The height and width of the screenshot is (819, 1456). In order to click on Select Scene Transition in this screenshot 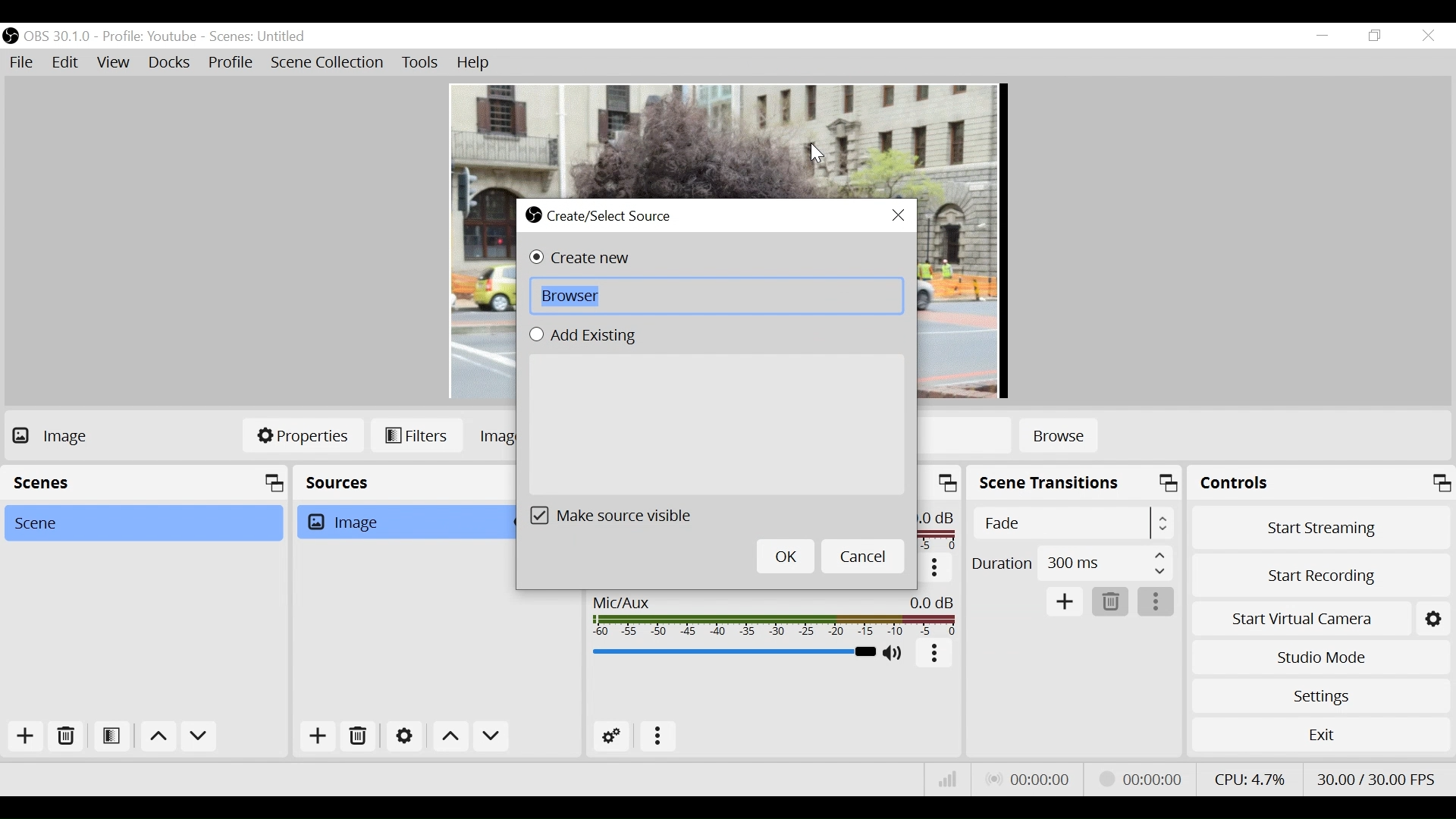, I will do `click(1072, 521)`.